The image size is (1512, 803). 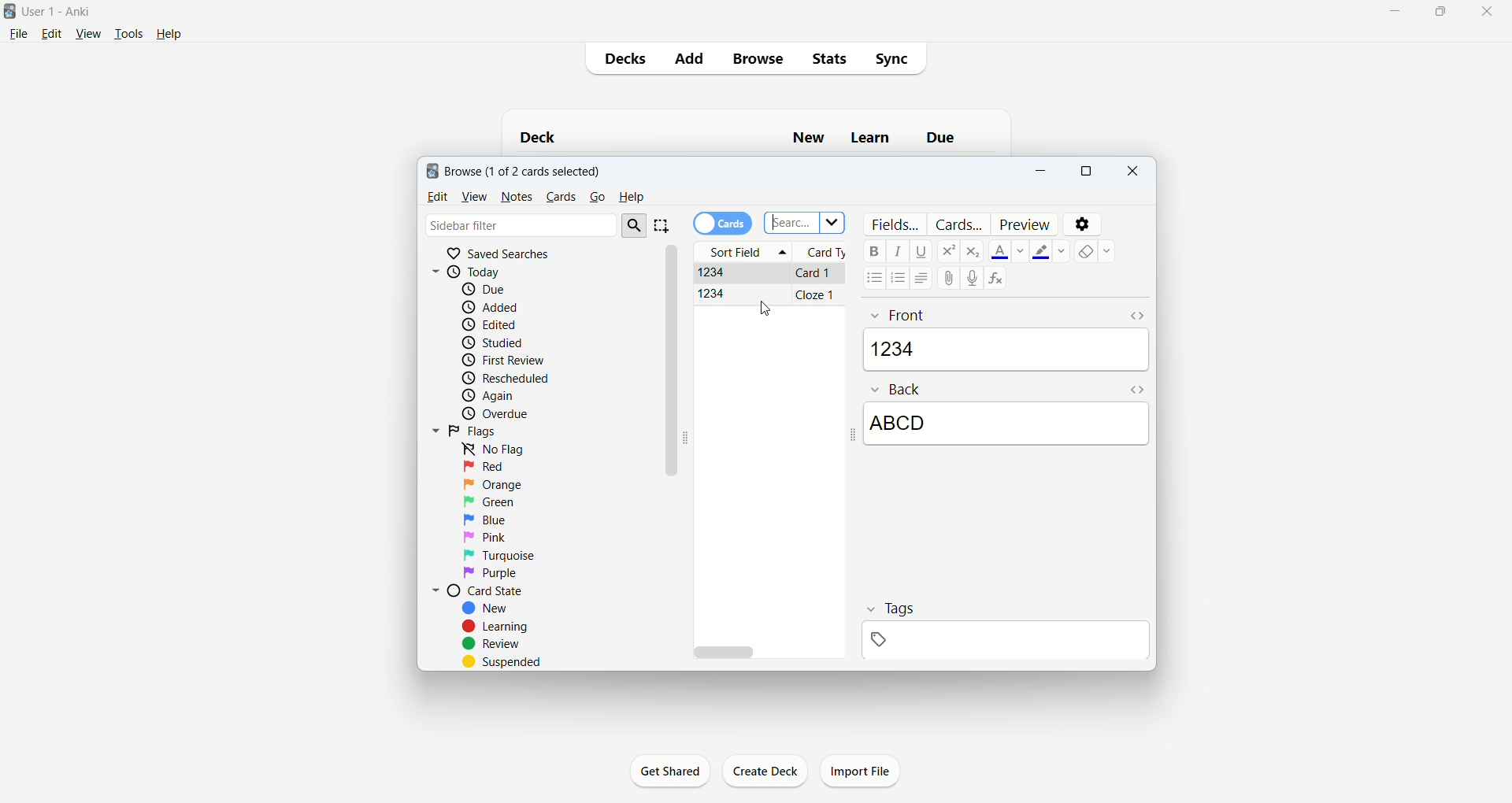 What do you see at coordinates (17, 35) in the screenshot?
I see `file` at bounding box center [17, 35].